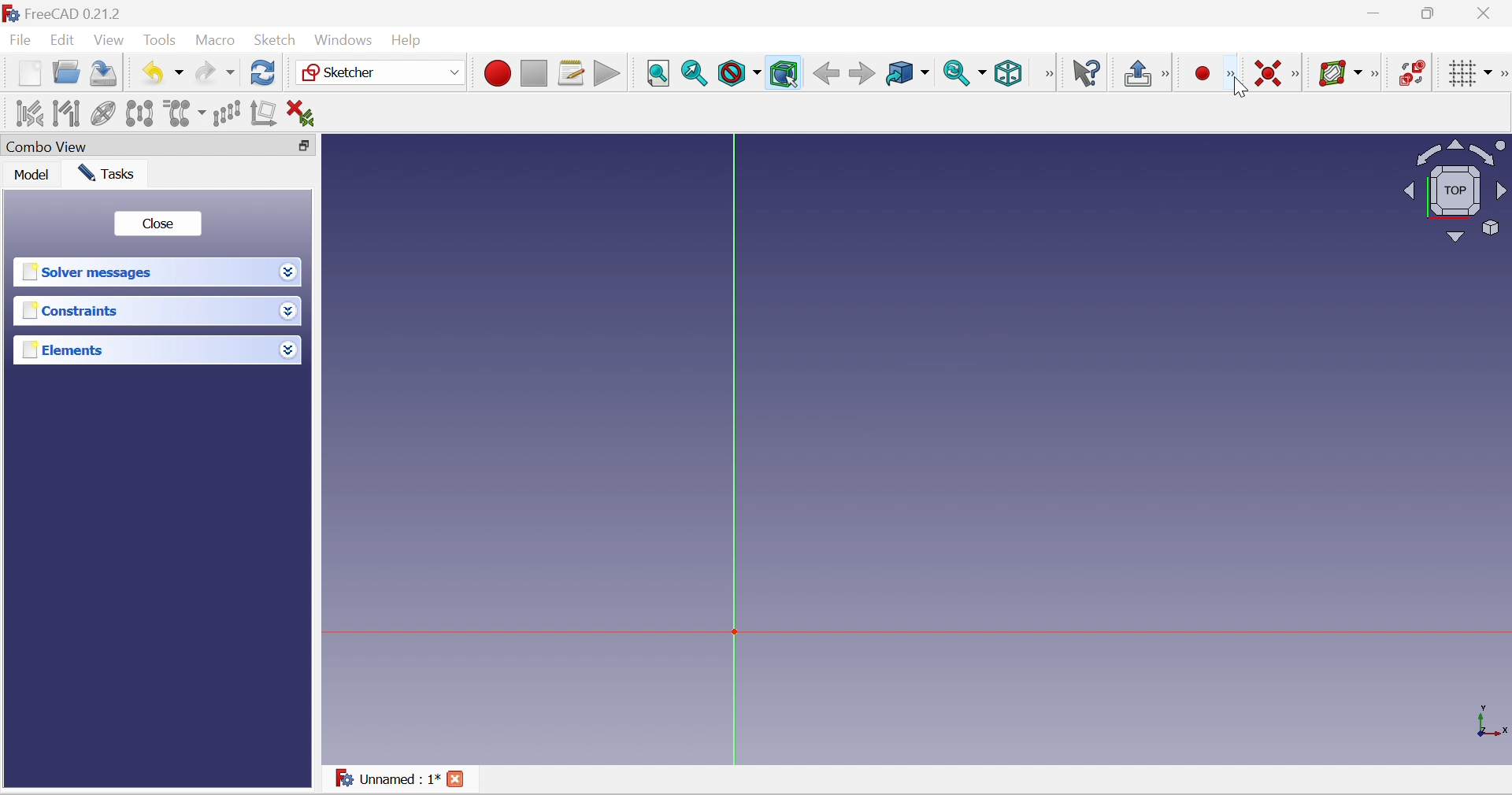 The image size is (1512, 795). Describe the element at coordinates (1378, 74) in the screenshot. I see `[Sketcher B-spline tools]` at that location.